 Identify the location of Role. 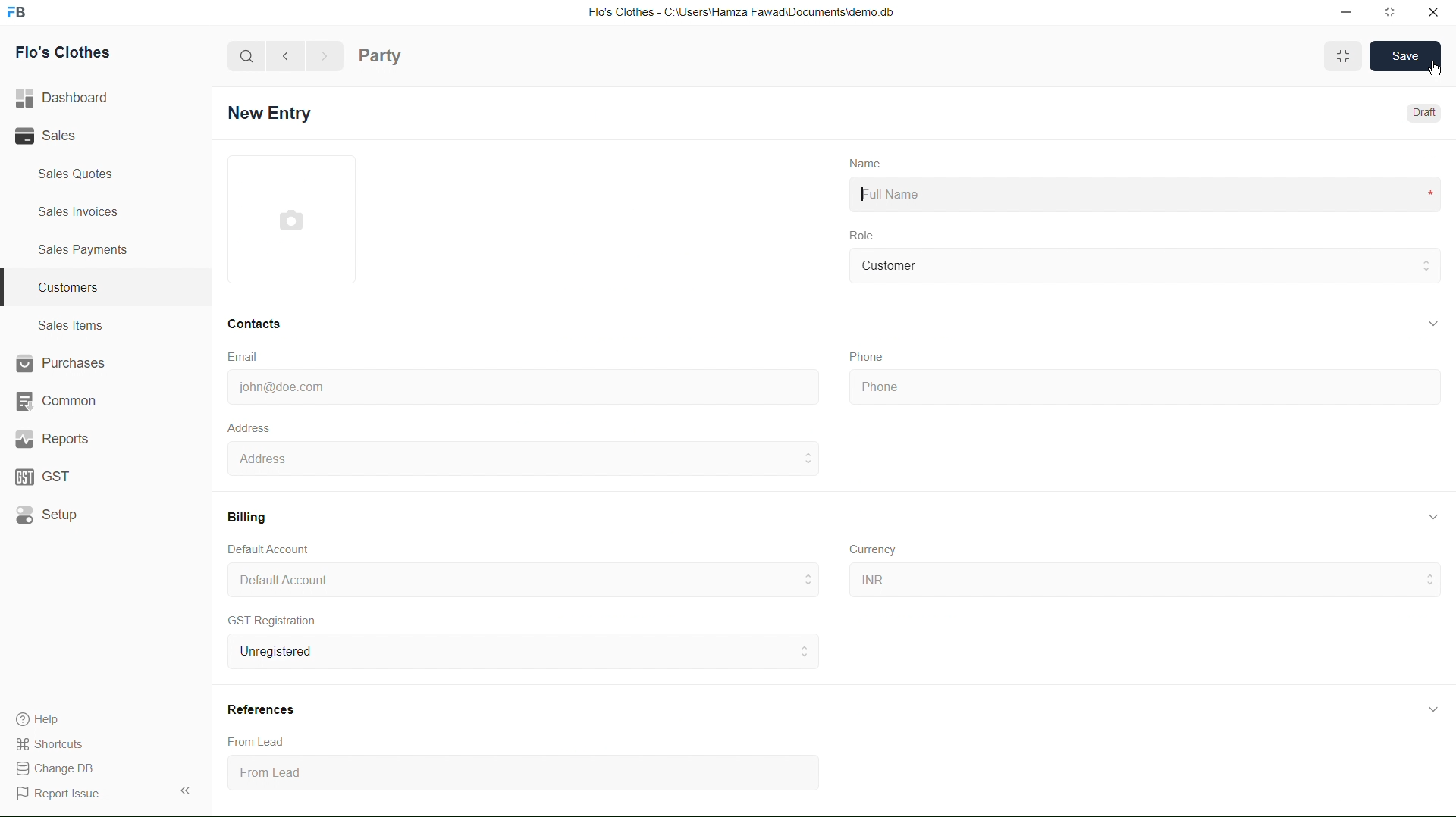
(869, 232).